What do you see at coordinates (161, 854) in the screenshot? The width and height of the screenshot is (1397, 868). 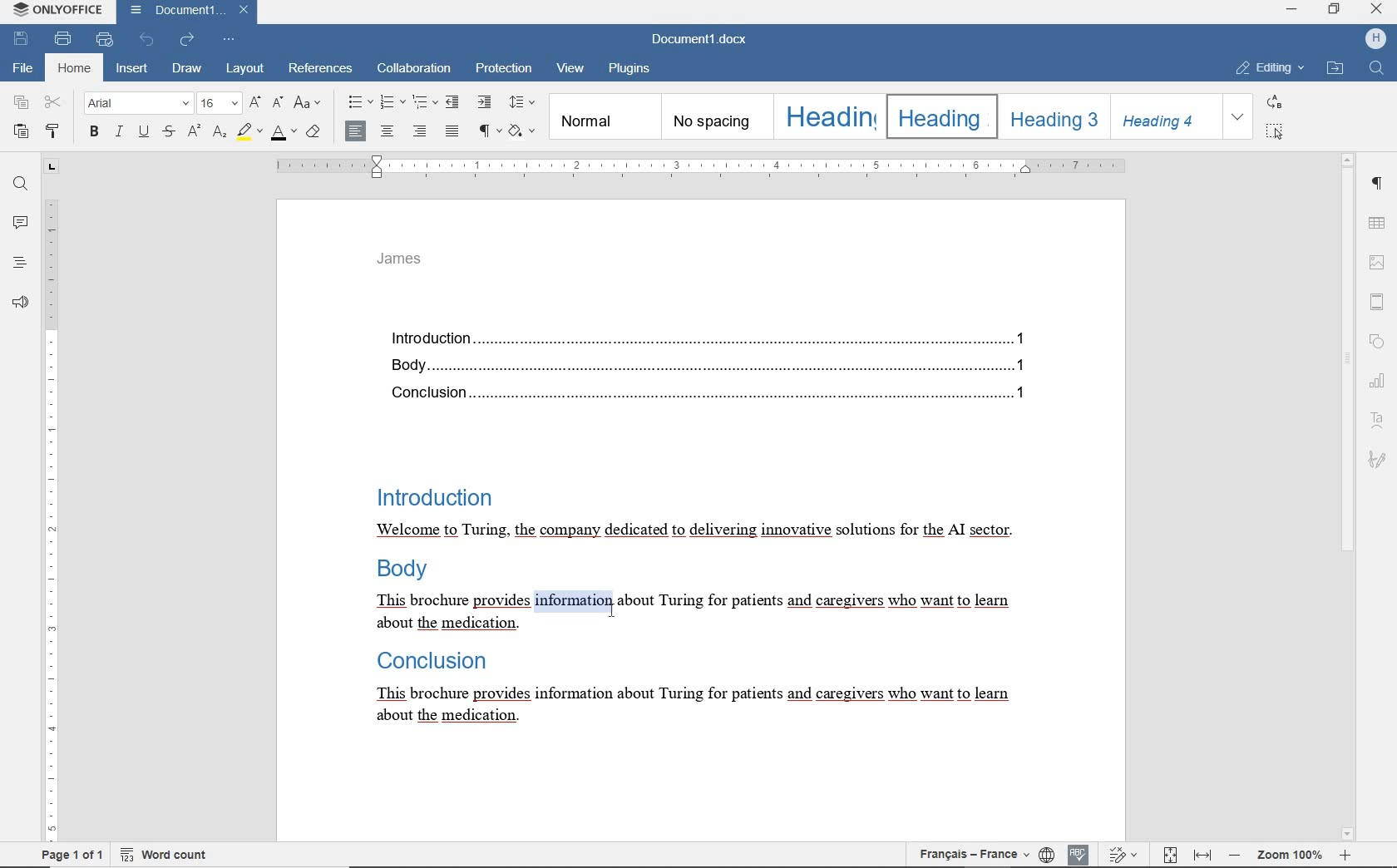 I see `WORD COUNT` at bounding box center [161, 854].